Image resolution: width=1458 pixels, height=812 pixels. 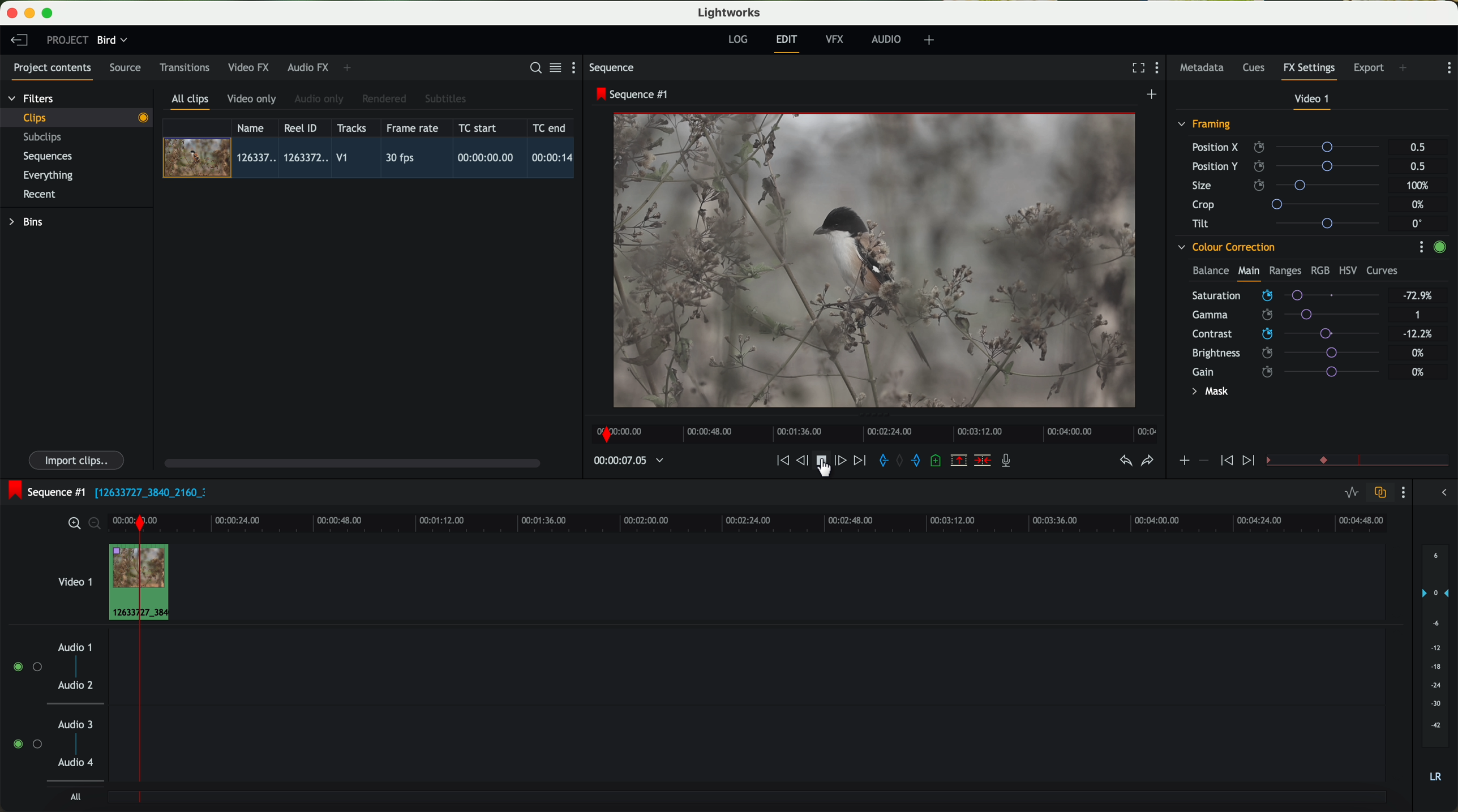 What do you see at coordinates (612, 68) in the screenshot?
I see `sequence` at bounding box center [612, 68].